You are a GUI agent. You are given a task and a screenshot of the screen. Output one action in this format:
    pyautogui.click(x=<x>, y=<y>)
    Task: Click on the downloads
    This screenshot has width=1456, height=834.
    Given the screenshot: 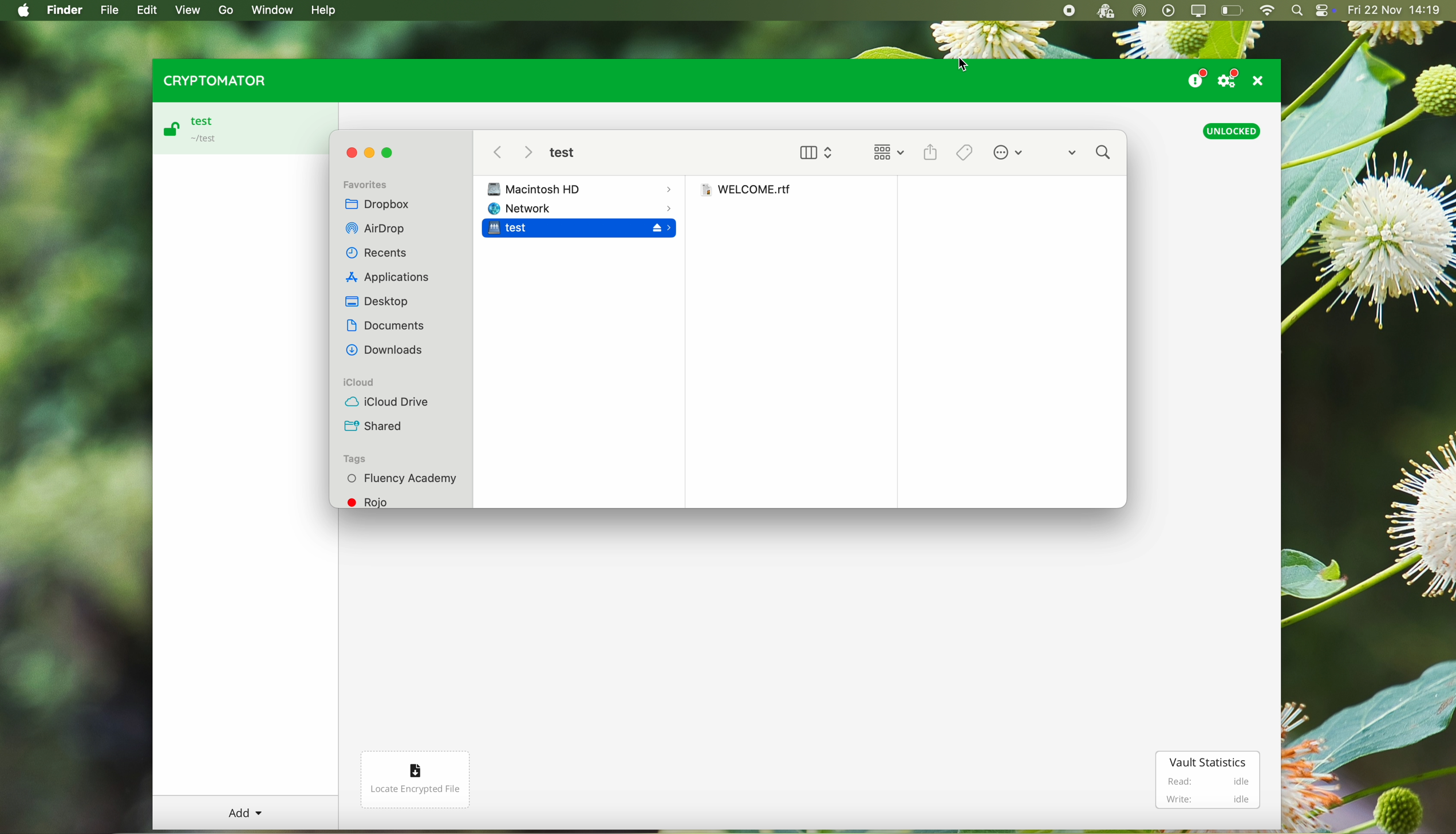 What is the action you would take?
    pyautogui.click(x=388, y=353)
    